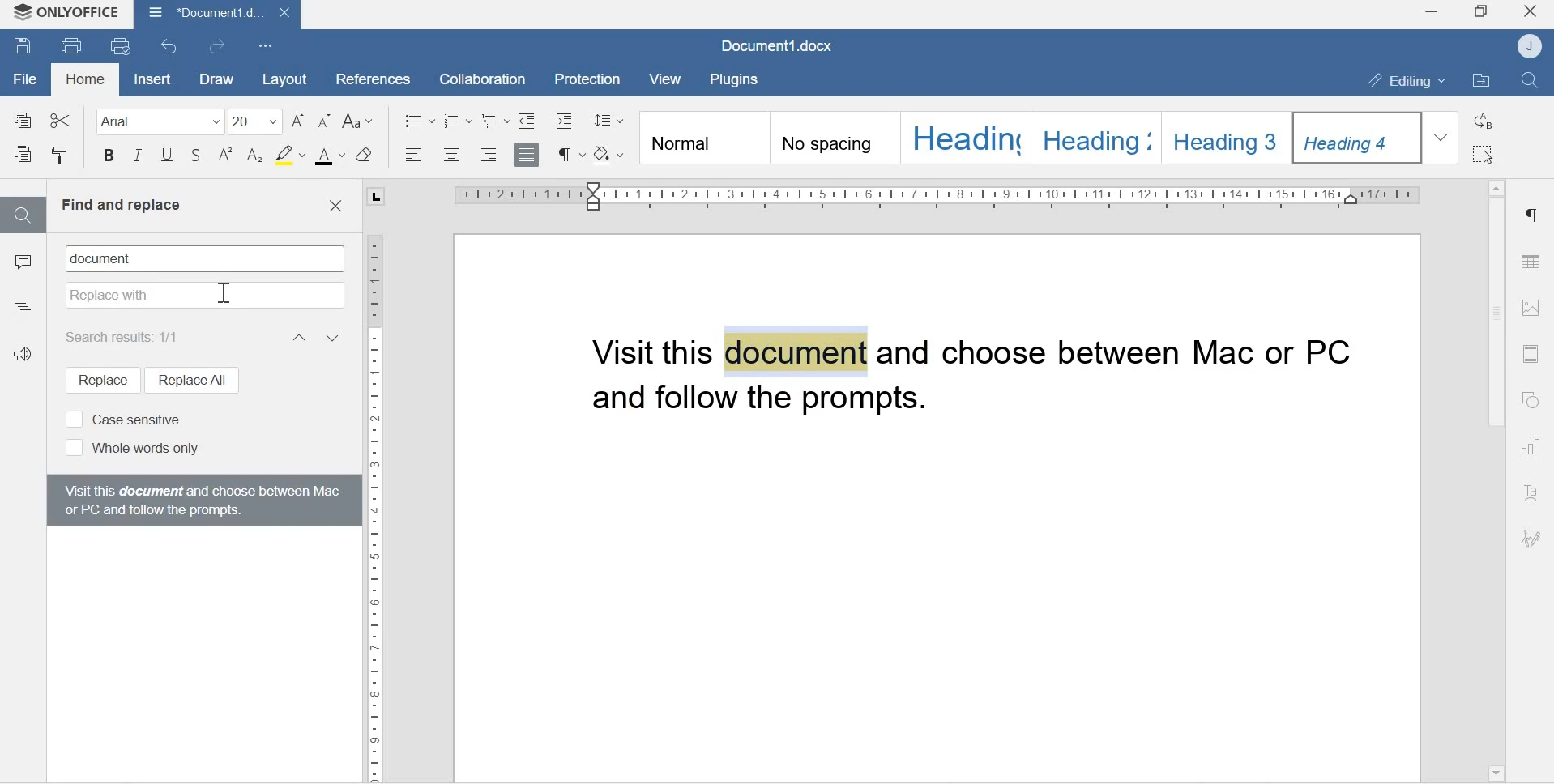 This screenshot has height=784, width=1554. Describe the element at coordinates (25, 156) in the screenshot. I see `Paste` at that location.